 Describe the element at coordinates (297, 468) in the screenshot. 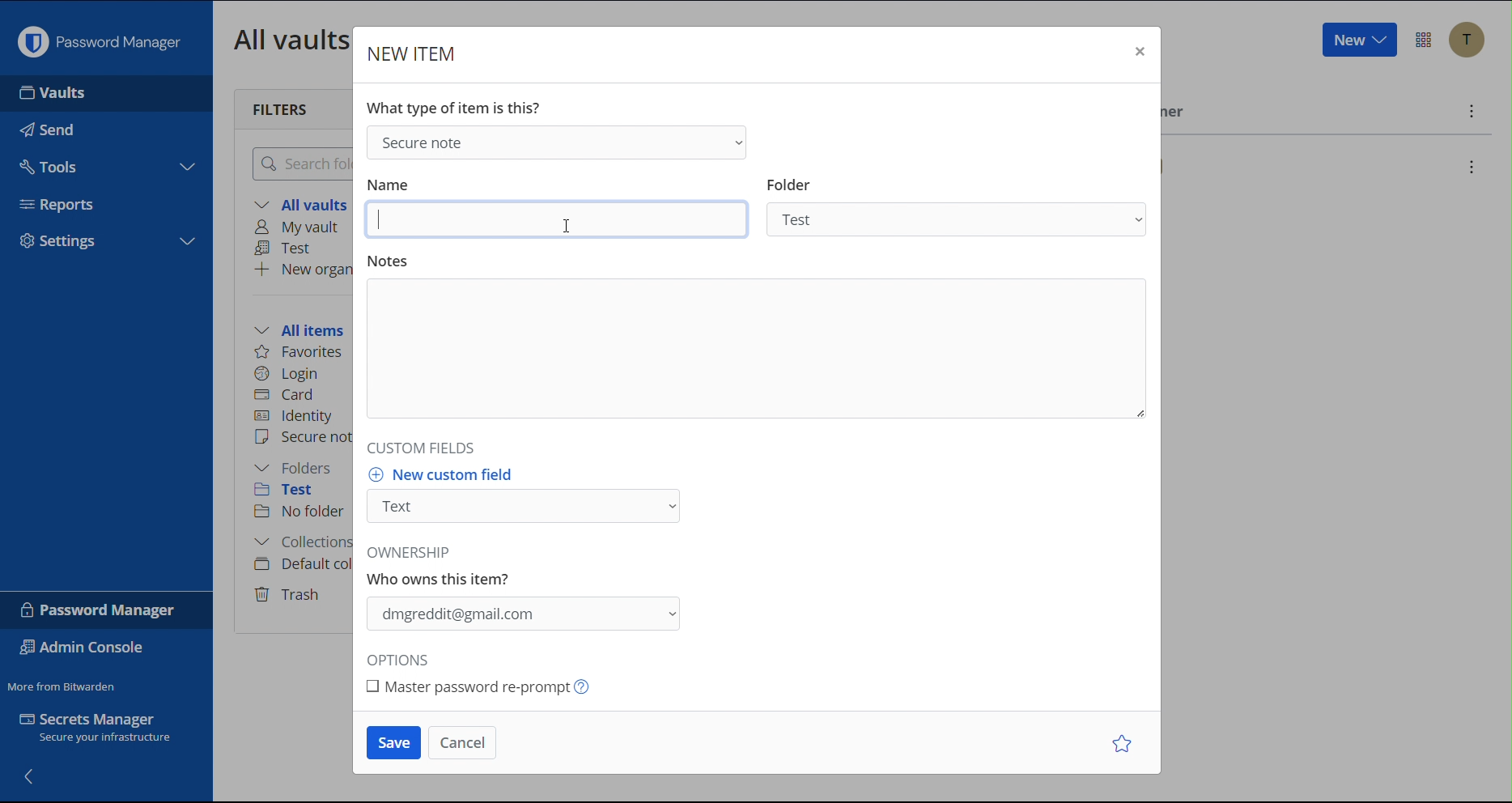

I see `Folders` at that location.